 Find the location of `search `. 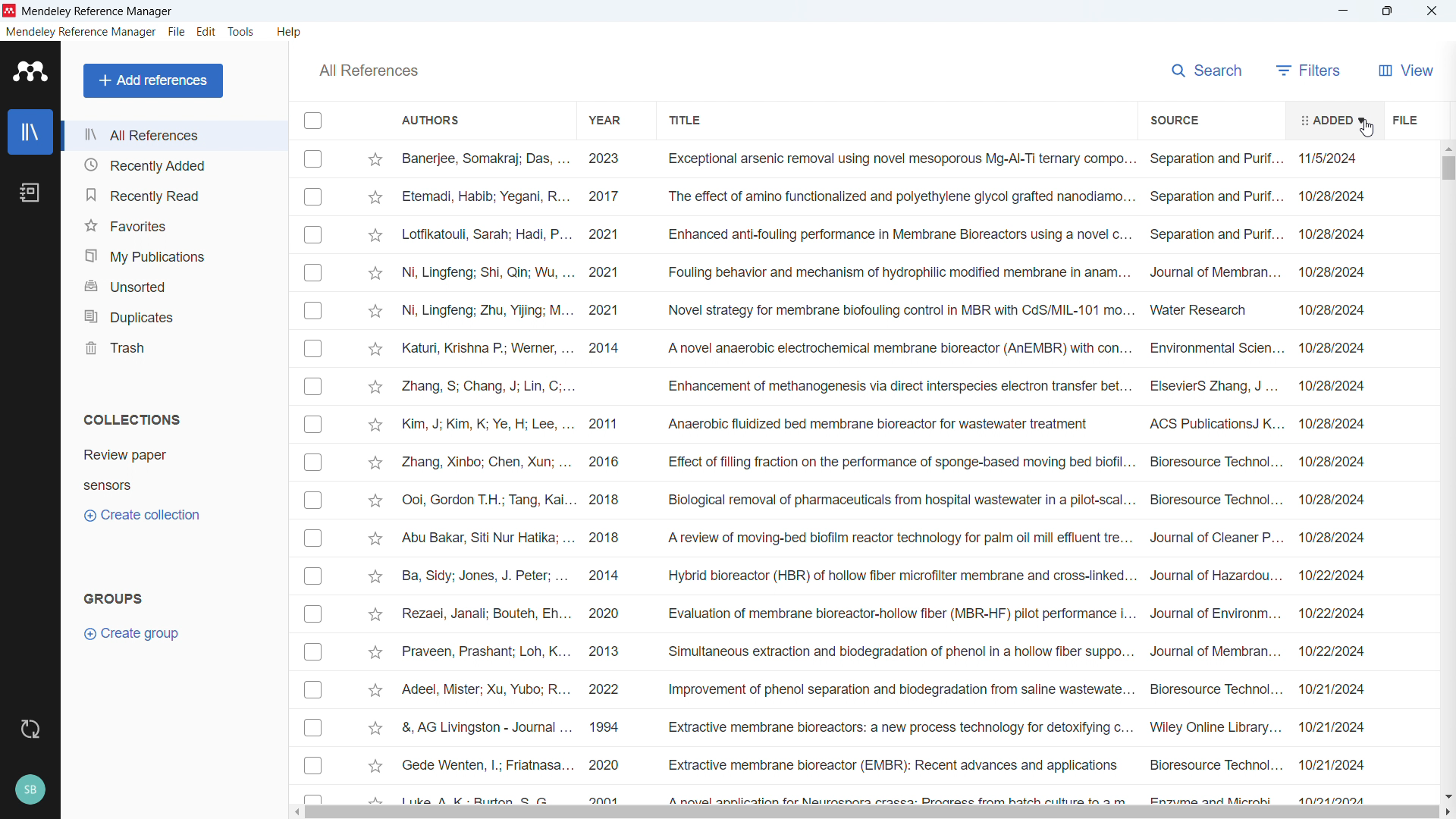

search  is located at coordinates (1208, 71).